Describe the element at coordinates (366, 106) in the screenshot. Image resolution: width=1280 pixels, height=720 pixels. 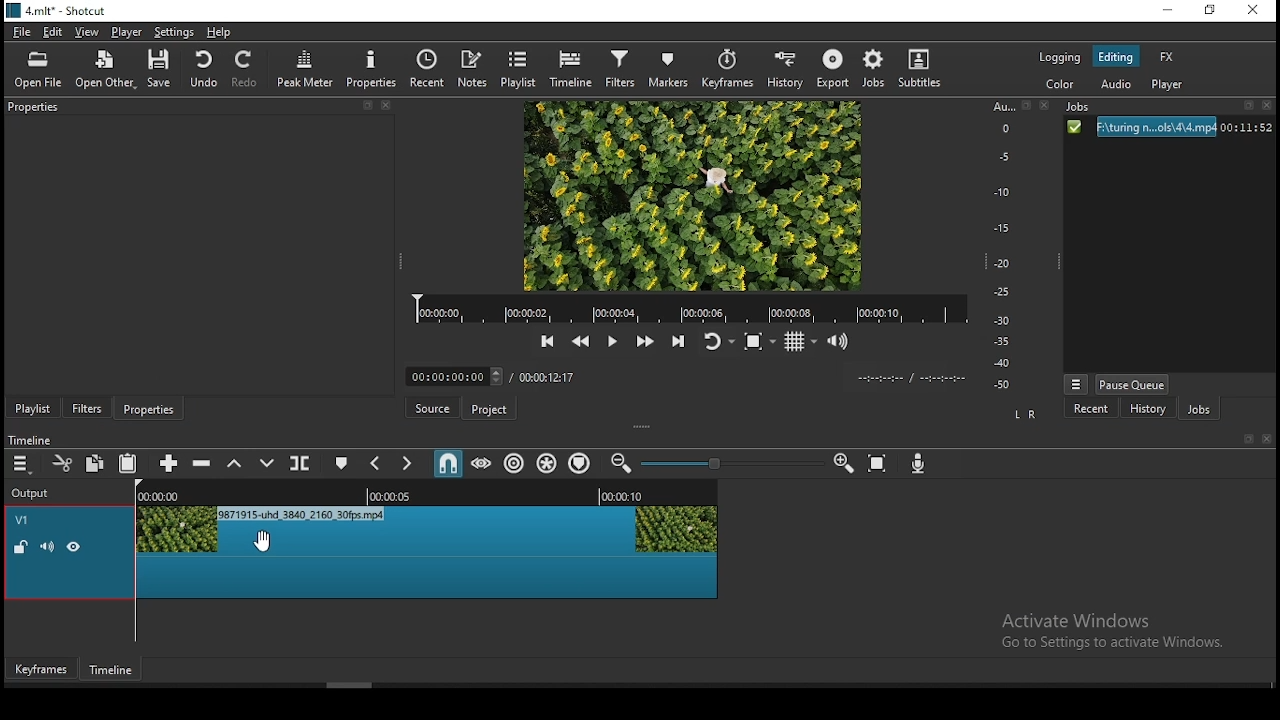
I see `bookmark` at that location.